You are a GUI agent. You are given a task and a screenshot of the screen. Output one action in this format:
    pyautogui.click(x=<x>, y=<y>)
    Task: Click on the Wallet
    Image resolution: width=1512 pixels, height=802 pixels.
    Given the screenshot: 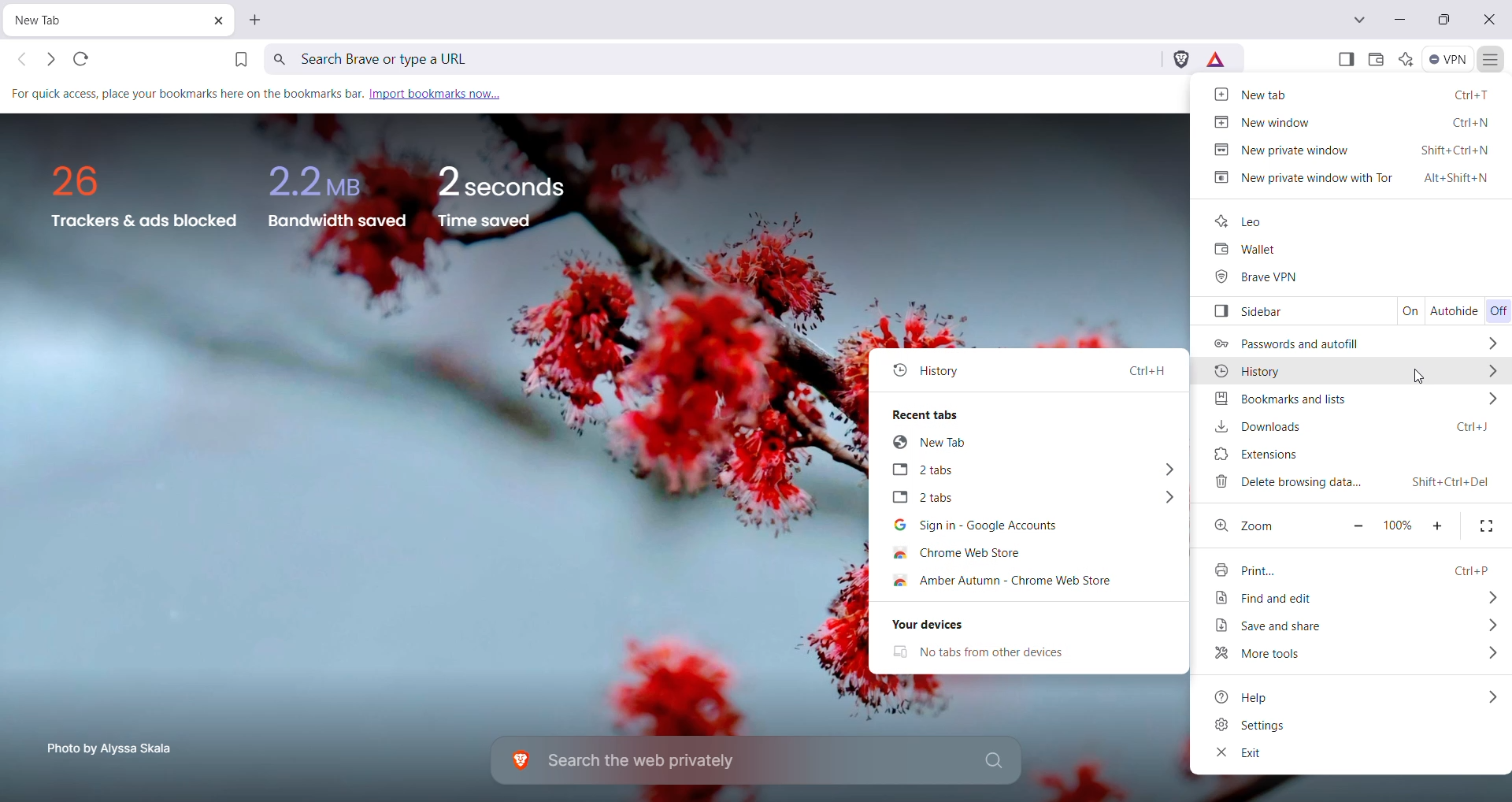 What is the action you would take?
    pyautogui.click(x=1240, y=251)
    